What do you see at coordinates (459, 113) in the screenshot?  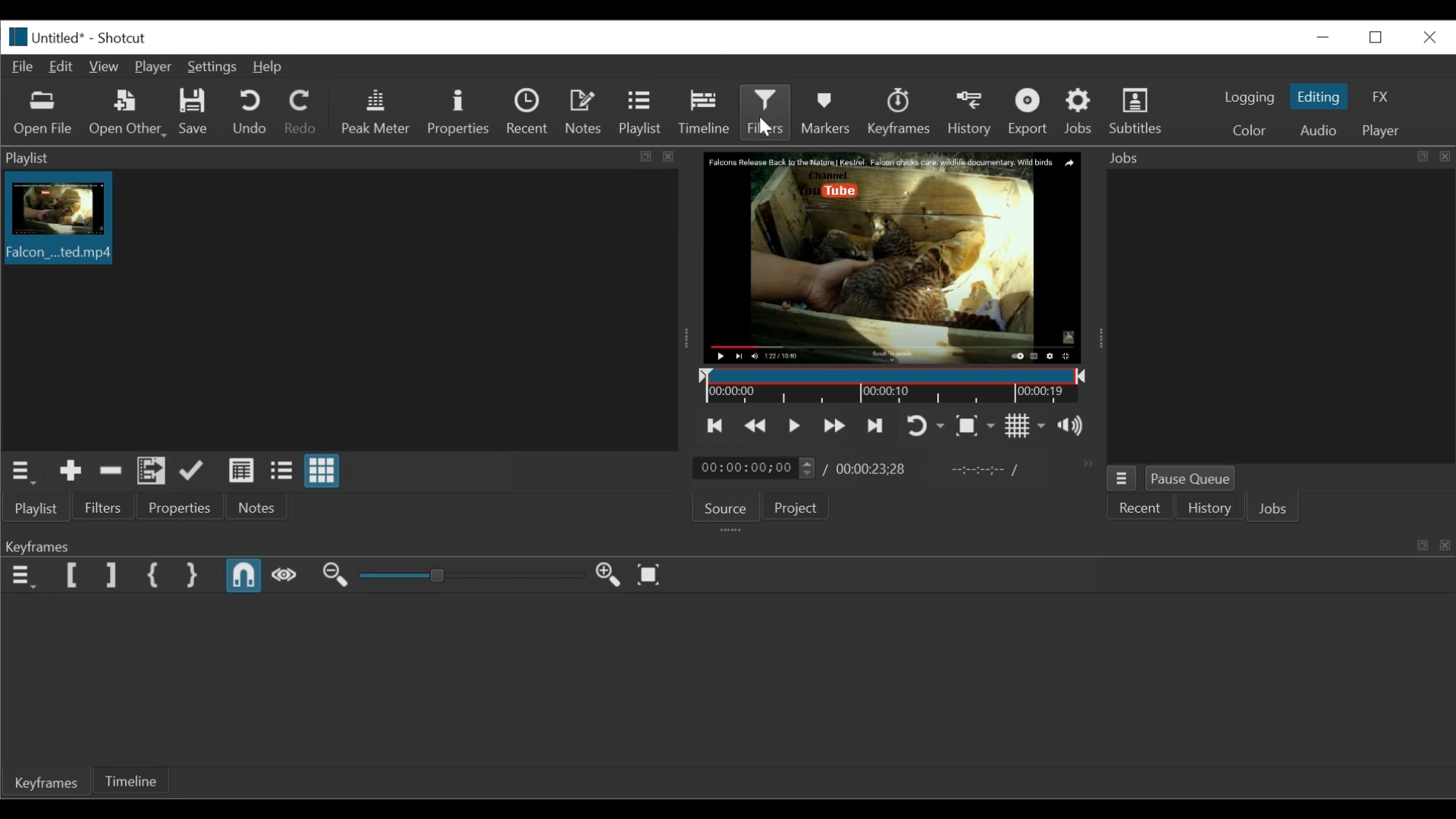 I see `Properties` at bounding box center [459, 113].